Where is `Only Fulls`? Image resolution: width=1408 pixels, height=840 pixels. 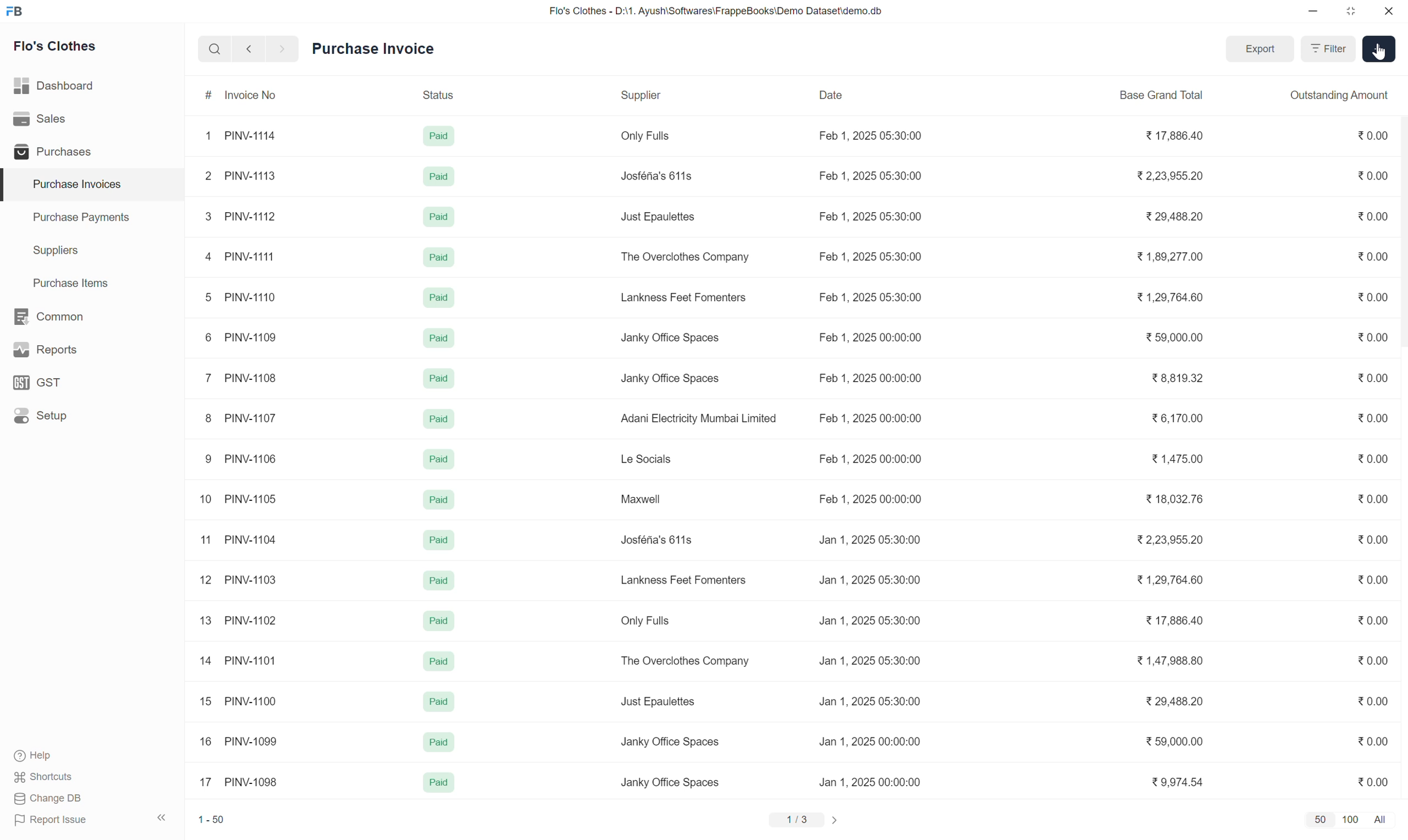 Only Fulls is located at coordinates (645, 620).